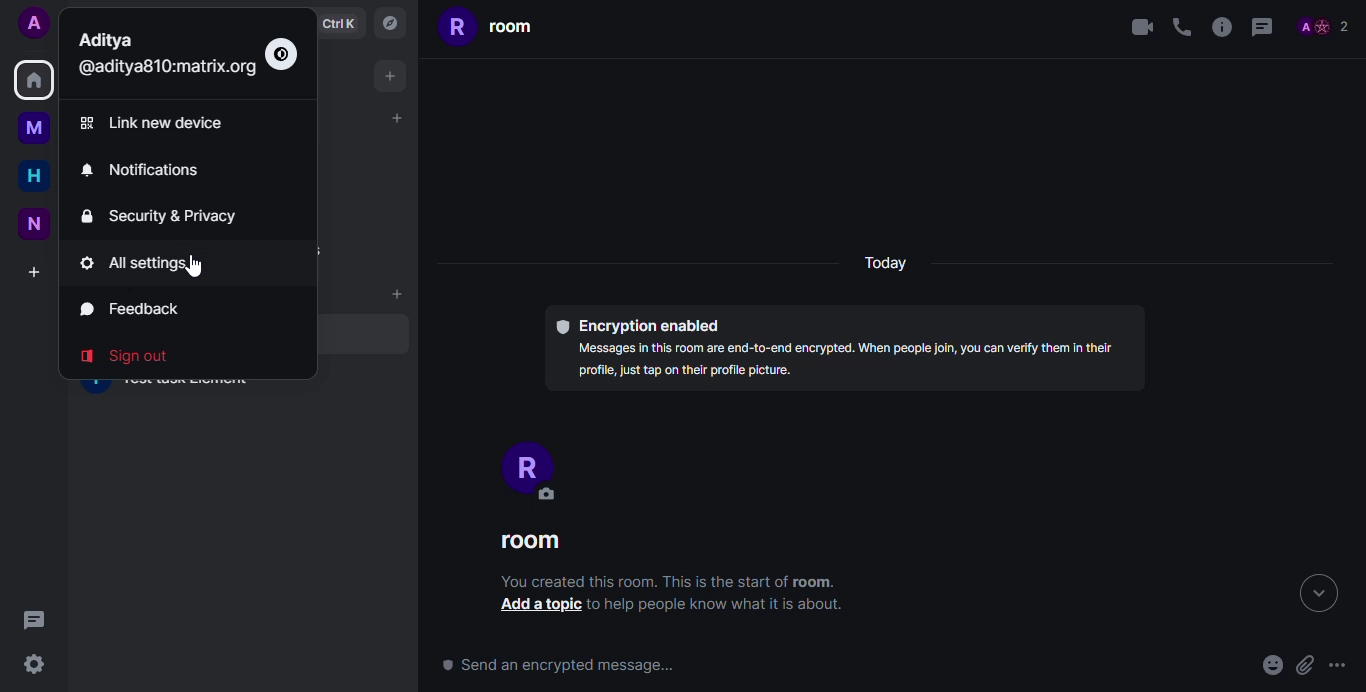 The image size is (1366, 692). Describe the element at coordinates (159, 214) in the screenshot. I see `security & privacy` at that location.